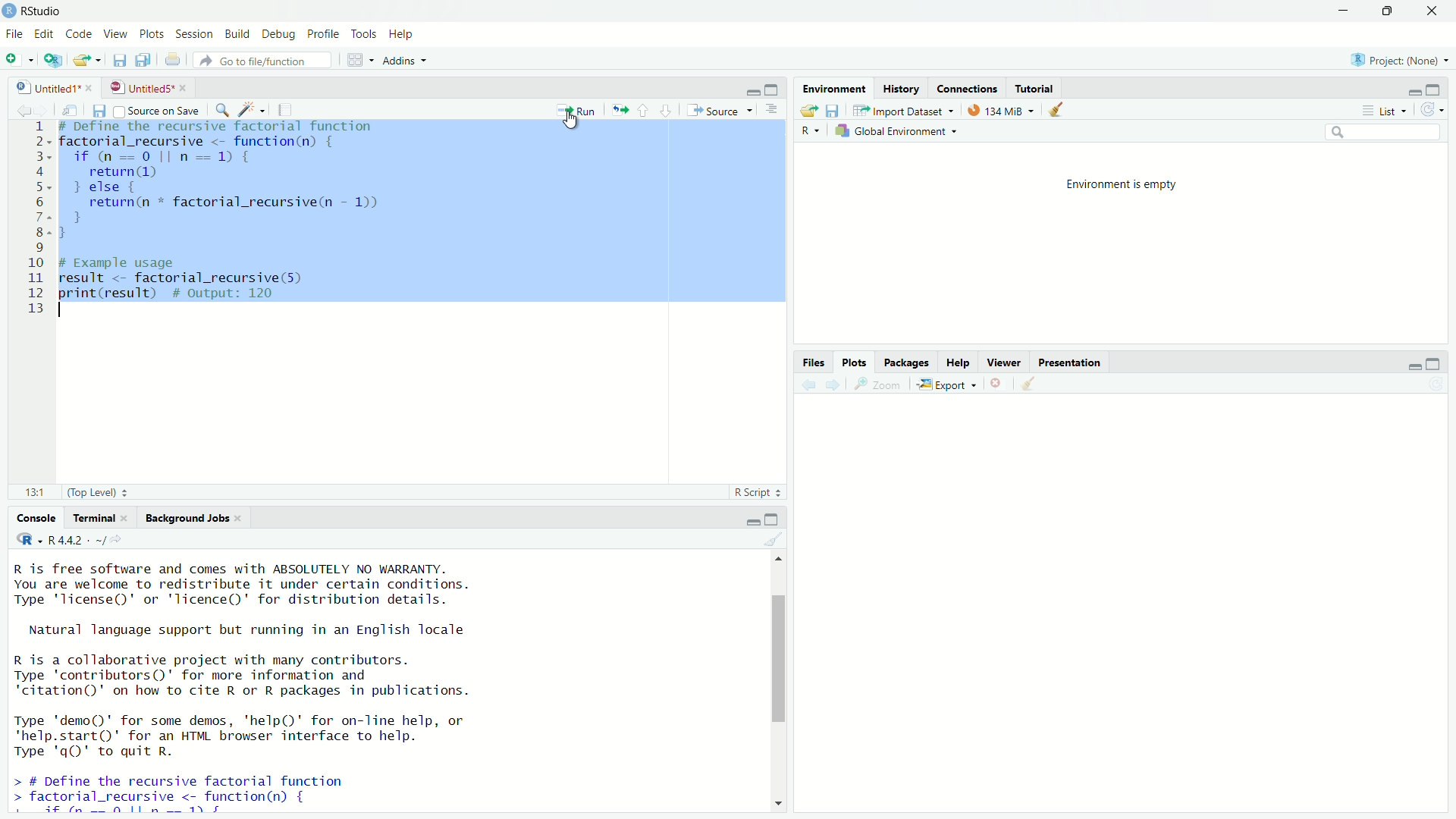 The image size is (1456, 819). Describe the element at coordinates (807, 383) in the screenshot. I see `Go back to the previous source location (Ctrl + F9)` at that location.